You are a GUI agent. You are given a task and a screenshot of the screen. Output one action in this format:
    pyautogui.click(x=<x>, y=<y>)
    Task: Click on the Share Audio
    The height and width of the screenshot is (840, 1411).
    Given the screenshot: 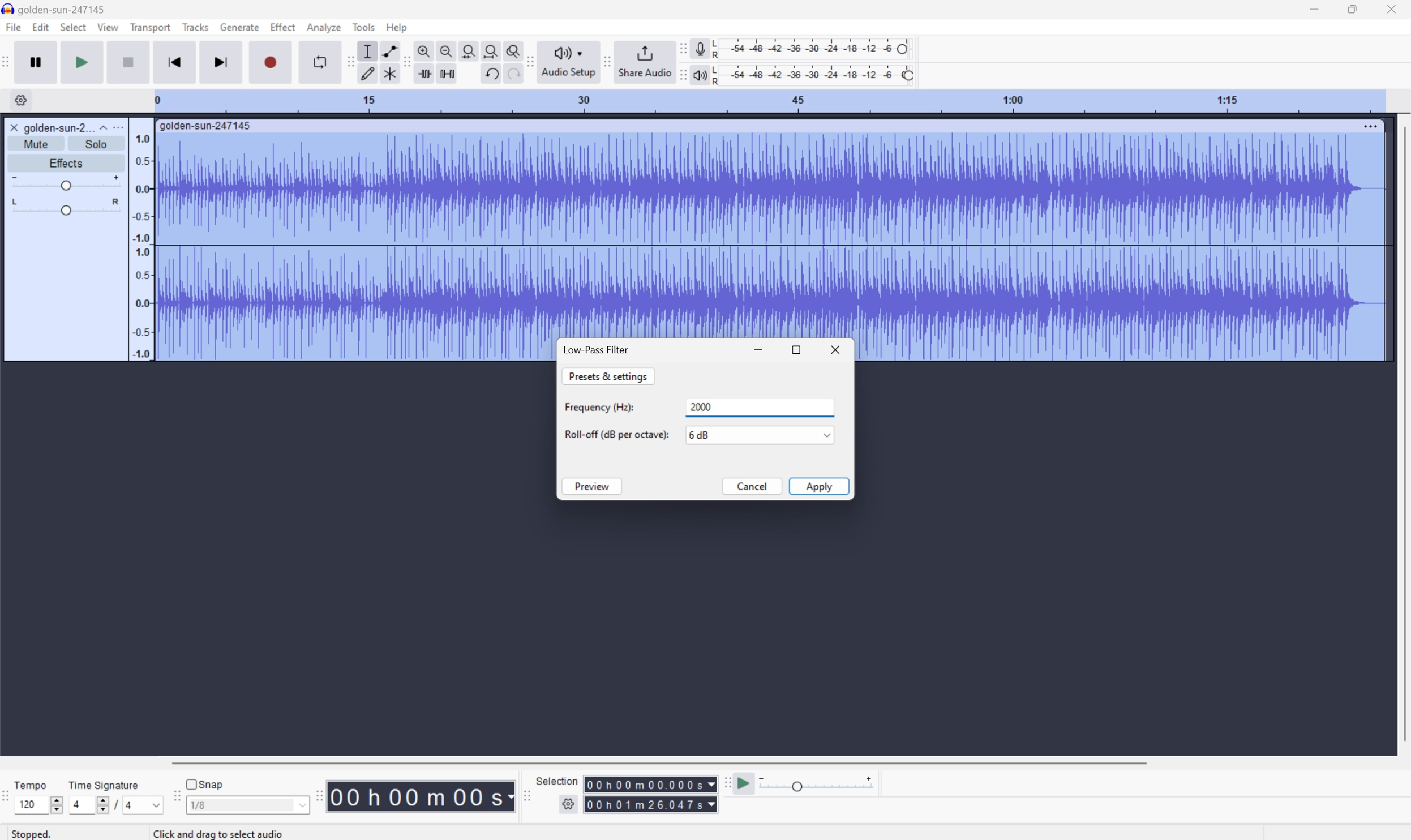 What is the action you would take?
    pyautogui.click(x=644, y=61)
    